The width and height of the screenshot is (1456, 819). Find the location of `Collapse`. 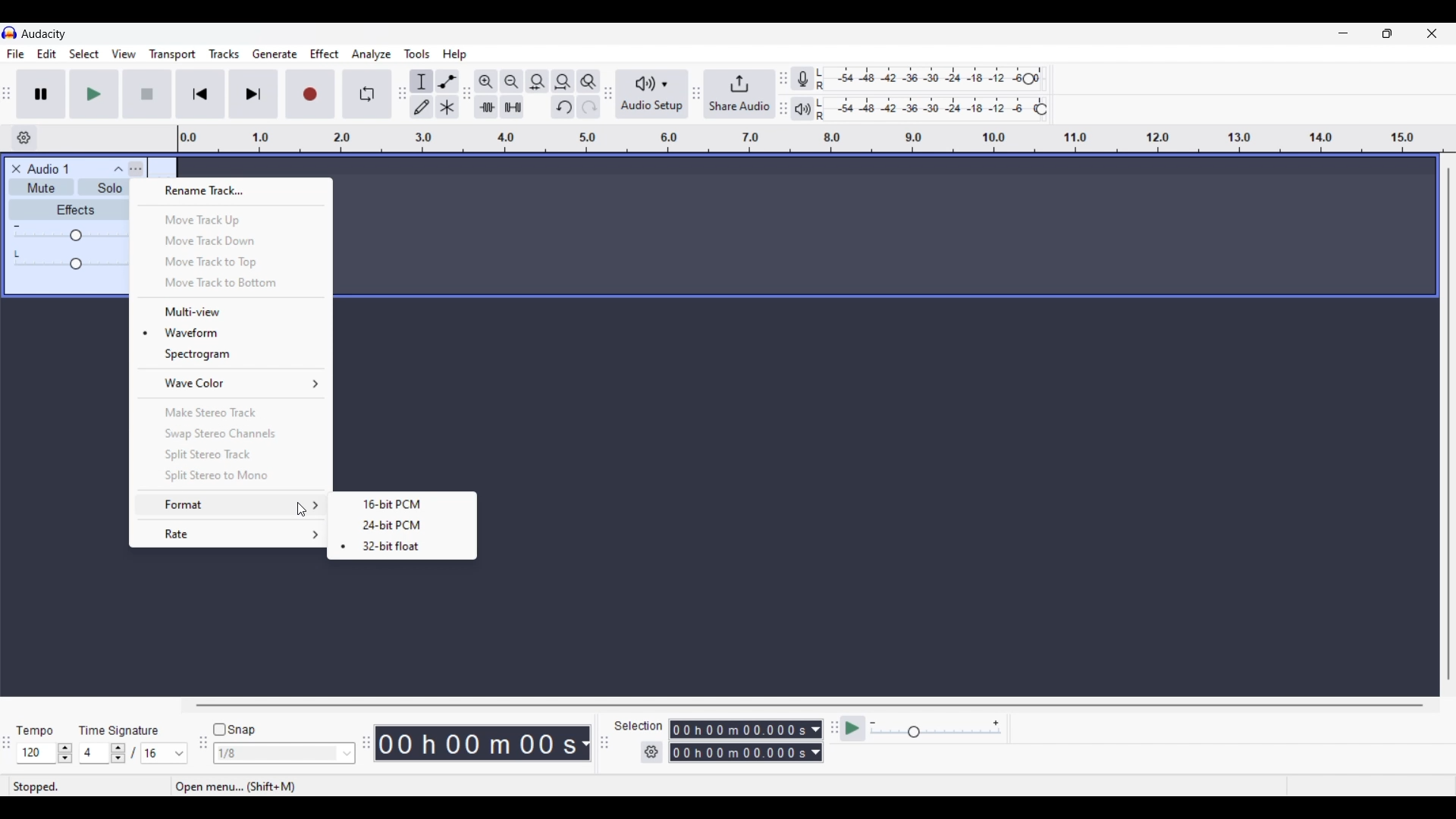

Collapse is located at coordinates (118, 168).